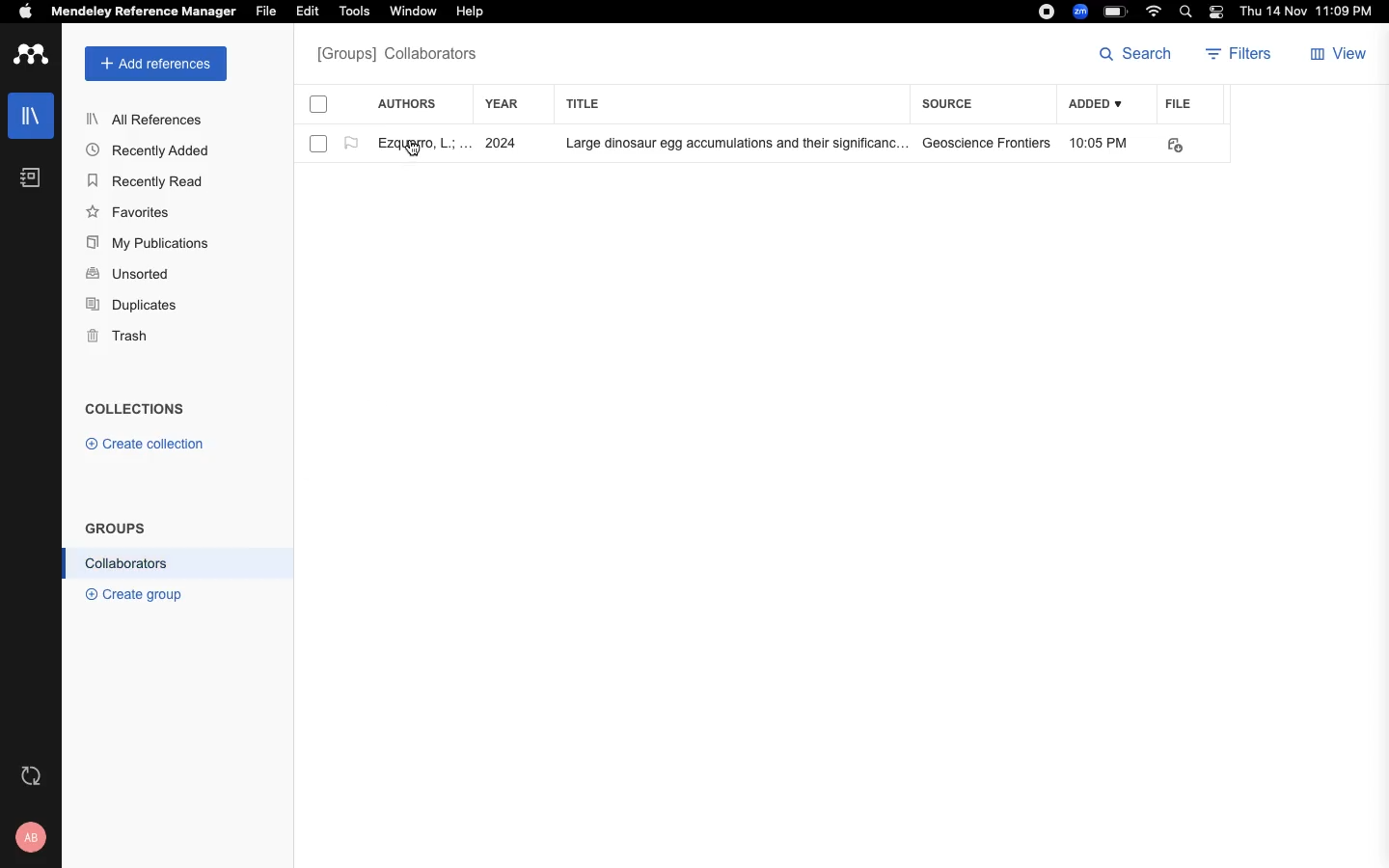 The width and height of the screenshot is (1389, 868). What do you see at coordinates (144, 13) in the screenshot?
I see `Mendeley Reference Manager` at bounding box center [144, 13].